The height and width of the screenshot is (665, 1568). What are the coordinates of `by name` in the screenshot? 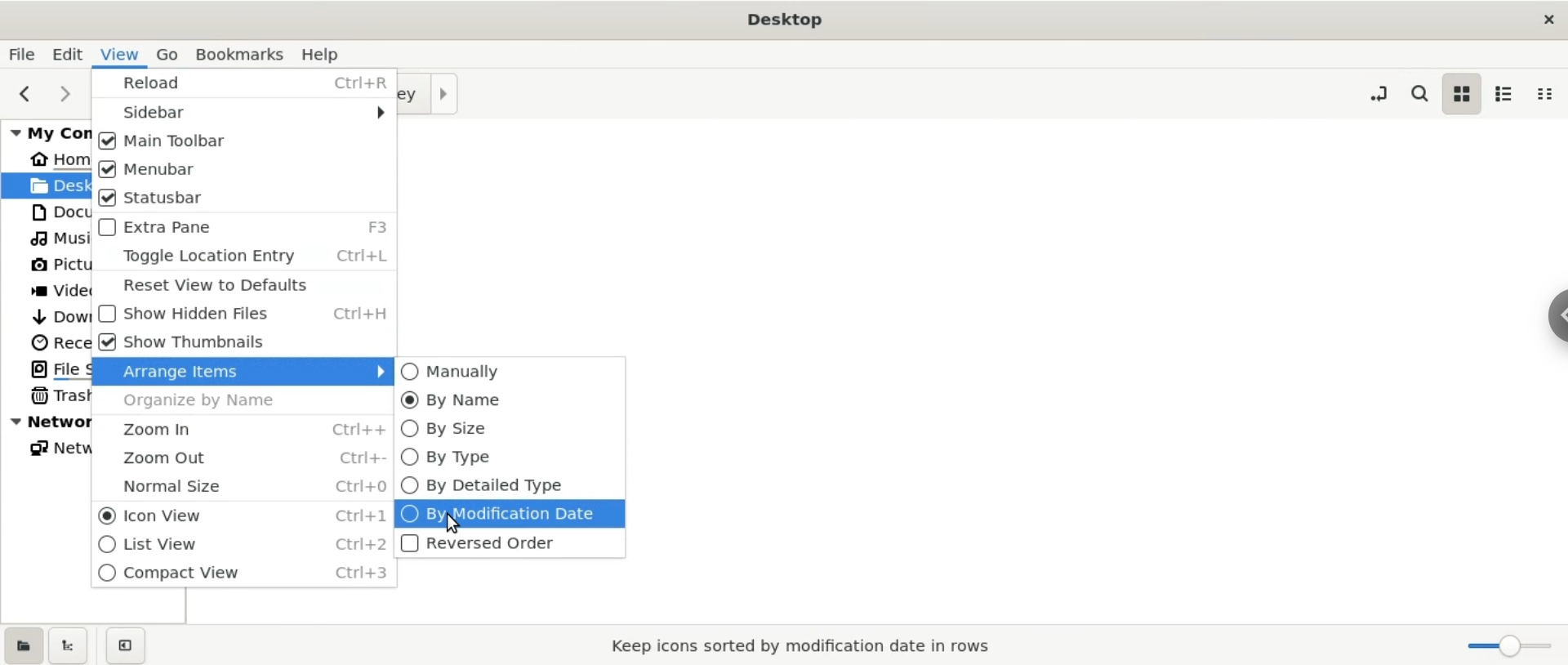 It's located at (505, 395).